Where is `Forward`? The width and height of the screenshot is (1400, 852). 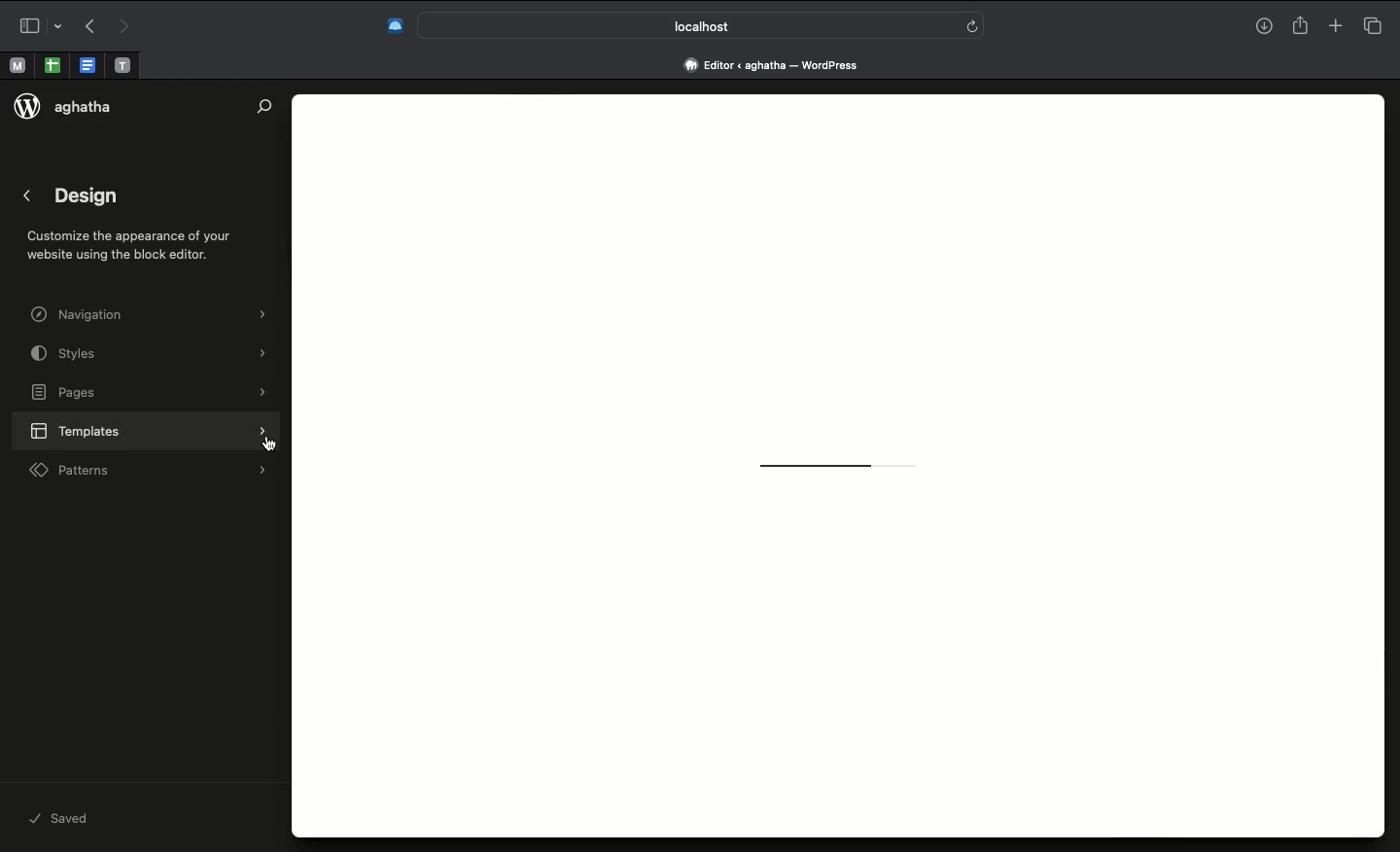 Forward is located at coordinates (125, 27).